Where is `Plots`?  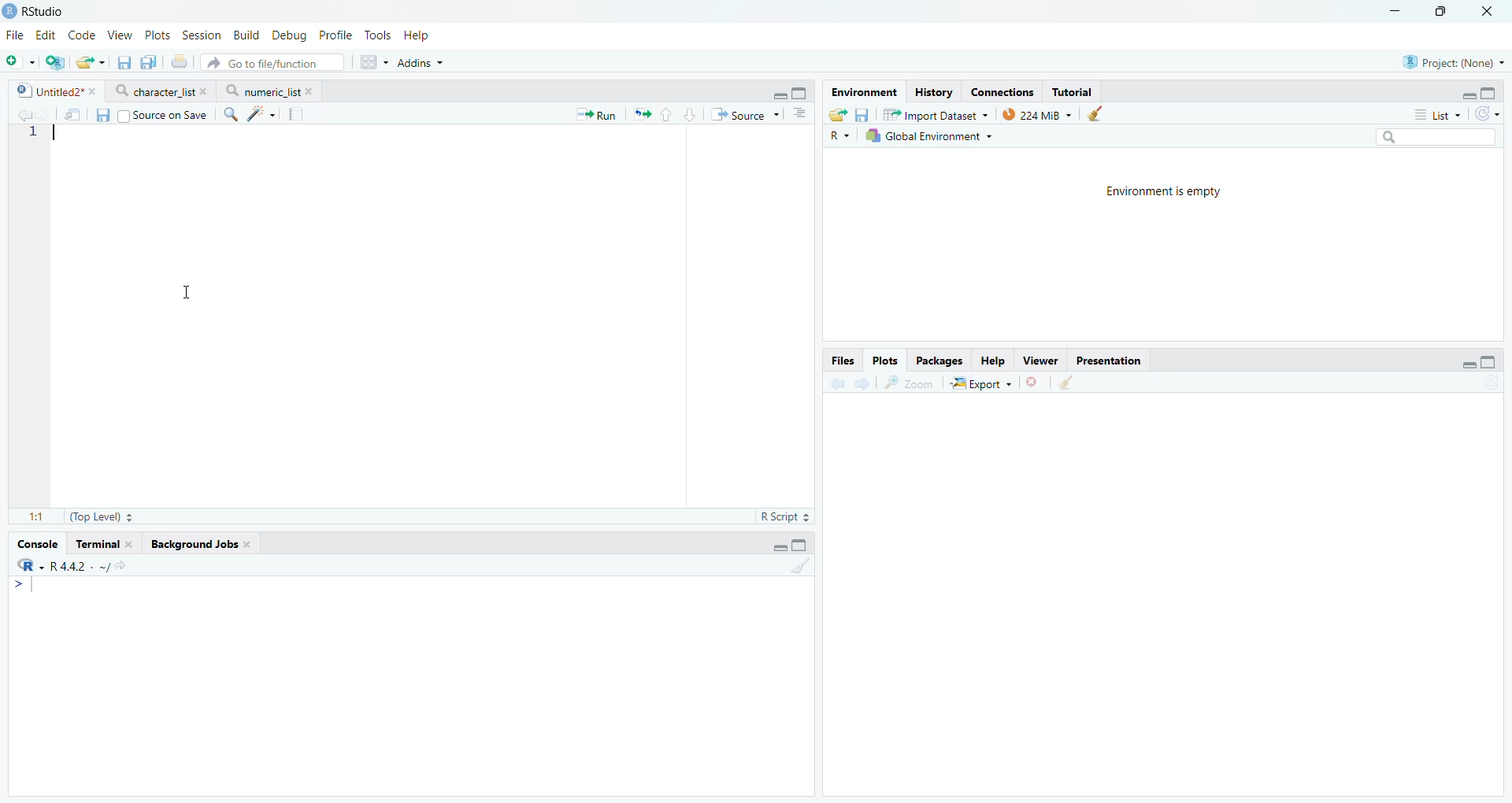 Plots is located at coordinates (161, 34).